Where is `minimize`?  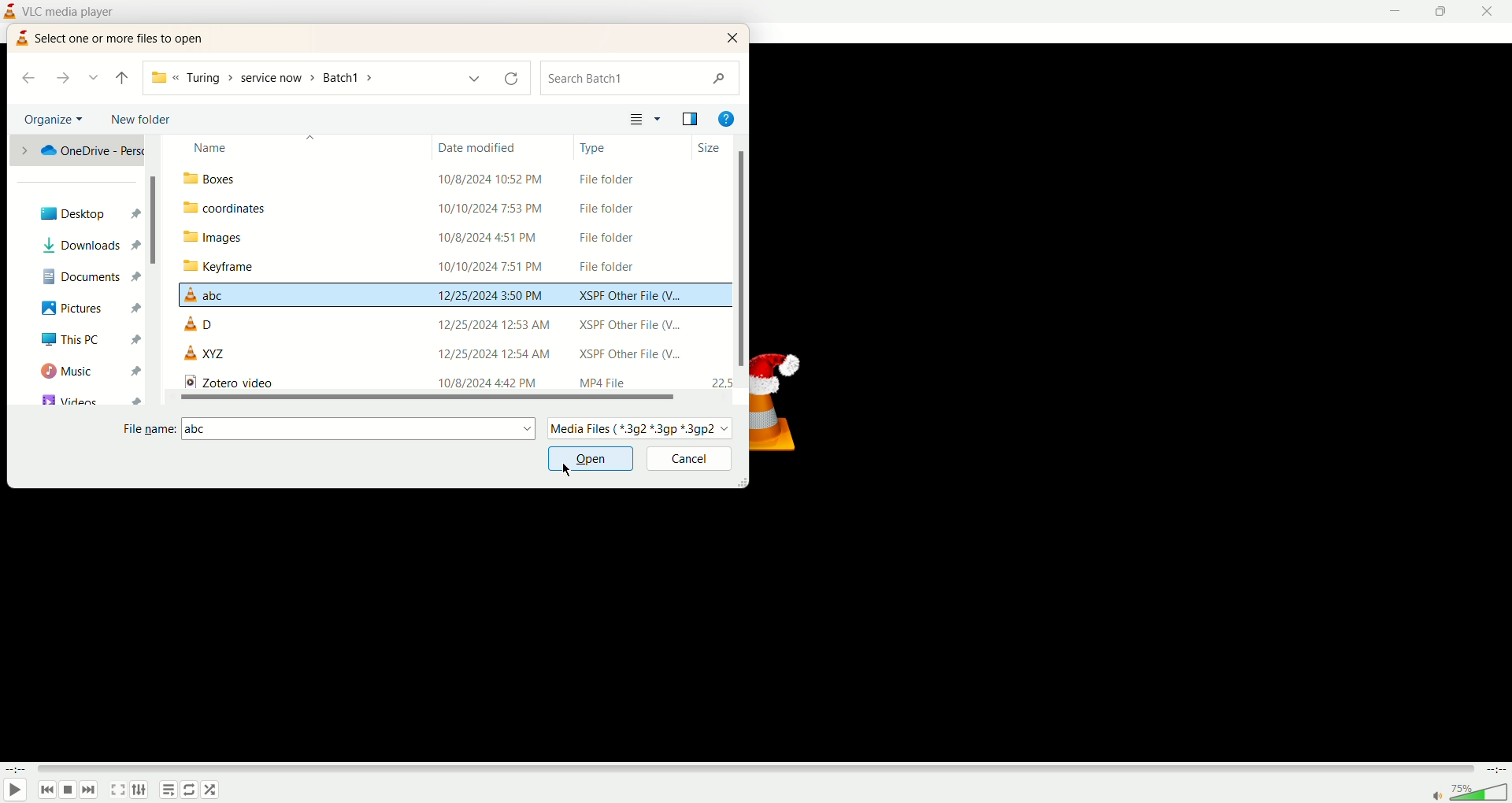 minimize is located at coordinates (1396, 11).